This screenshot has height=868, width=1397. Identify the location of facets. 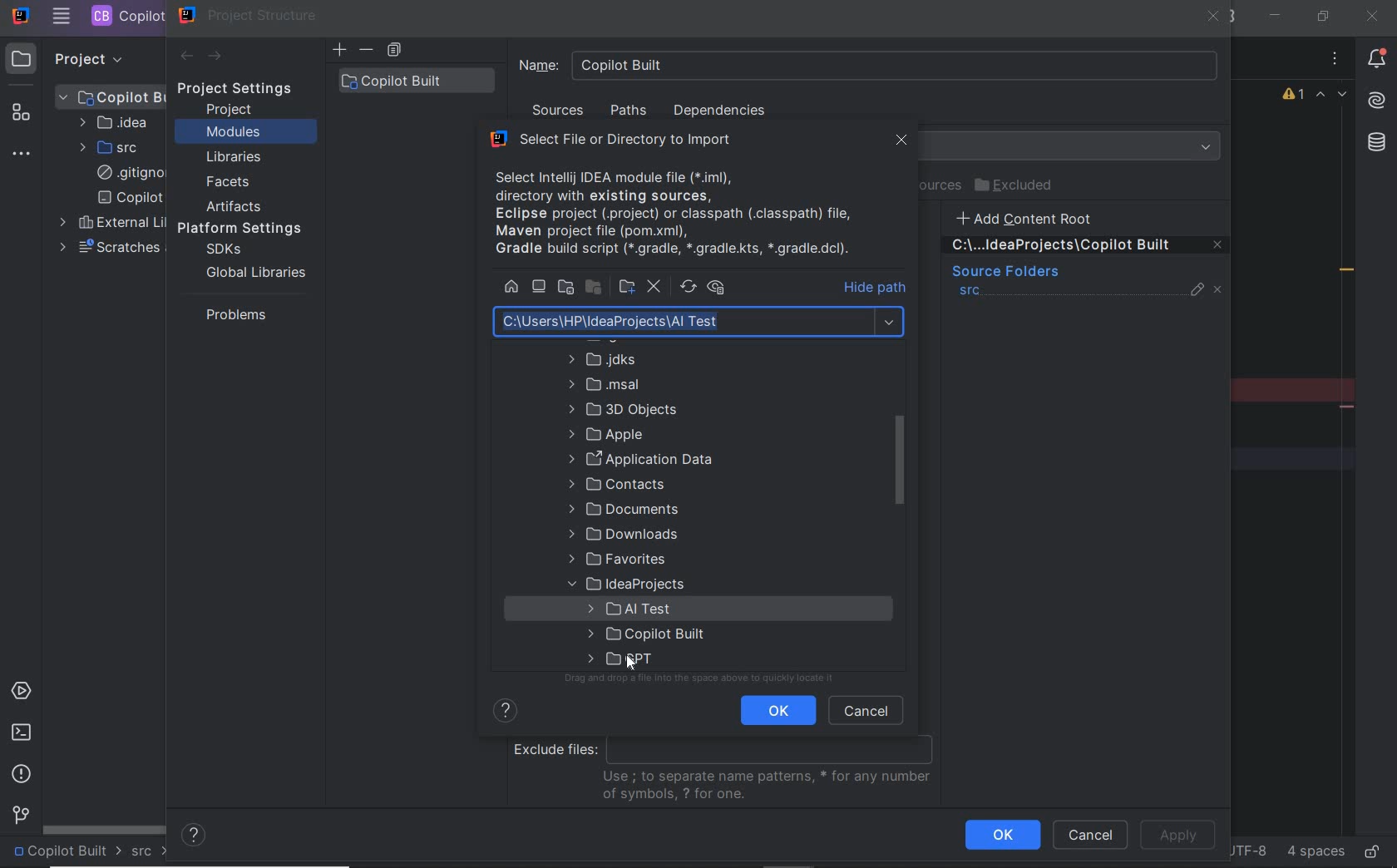
(229, 183).